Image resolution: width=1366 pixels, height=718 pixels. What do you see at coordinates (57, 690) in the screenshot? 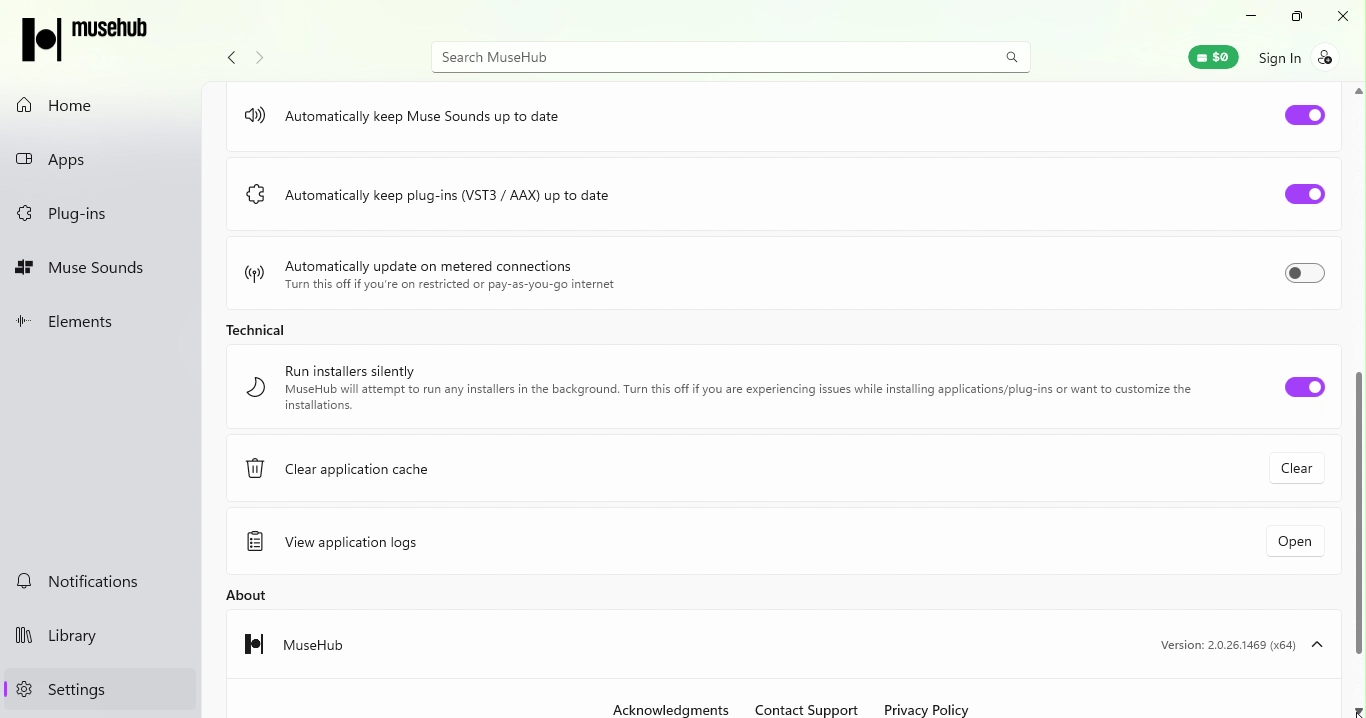
I see `Settings` at bounding box center [57, 690].